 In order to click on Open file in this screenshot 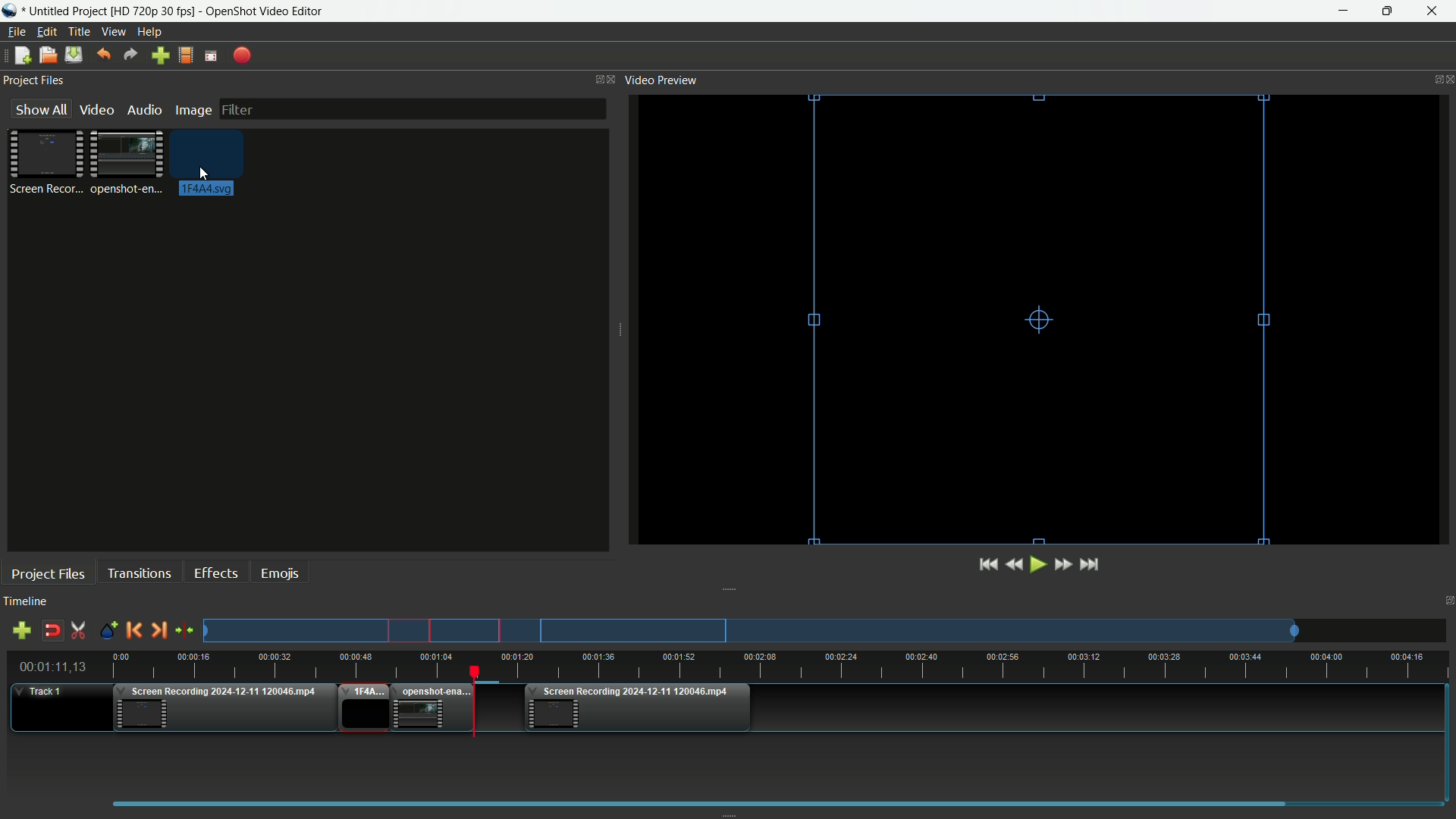, I will do `click(47, 57)`.